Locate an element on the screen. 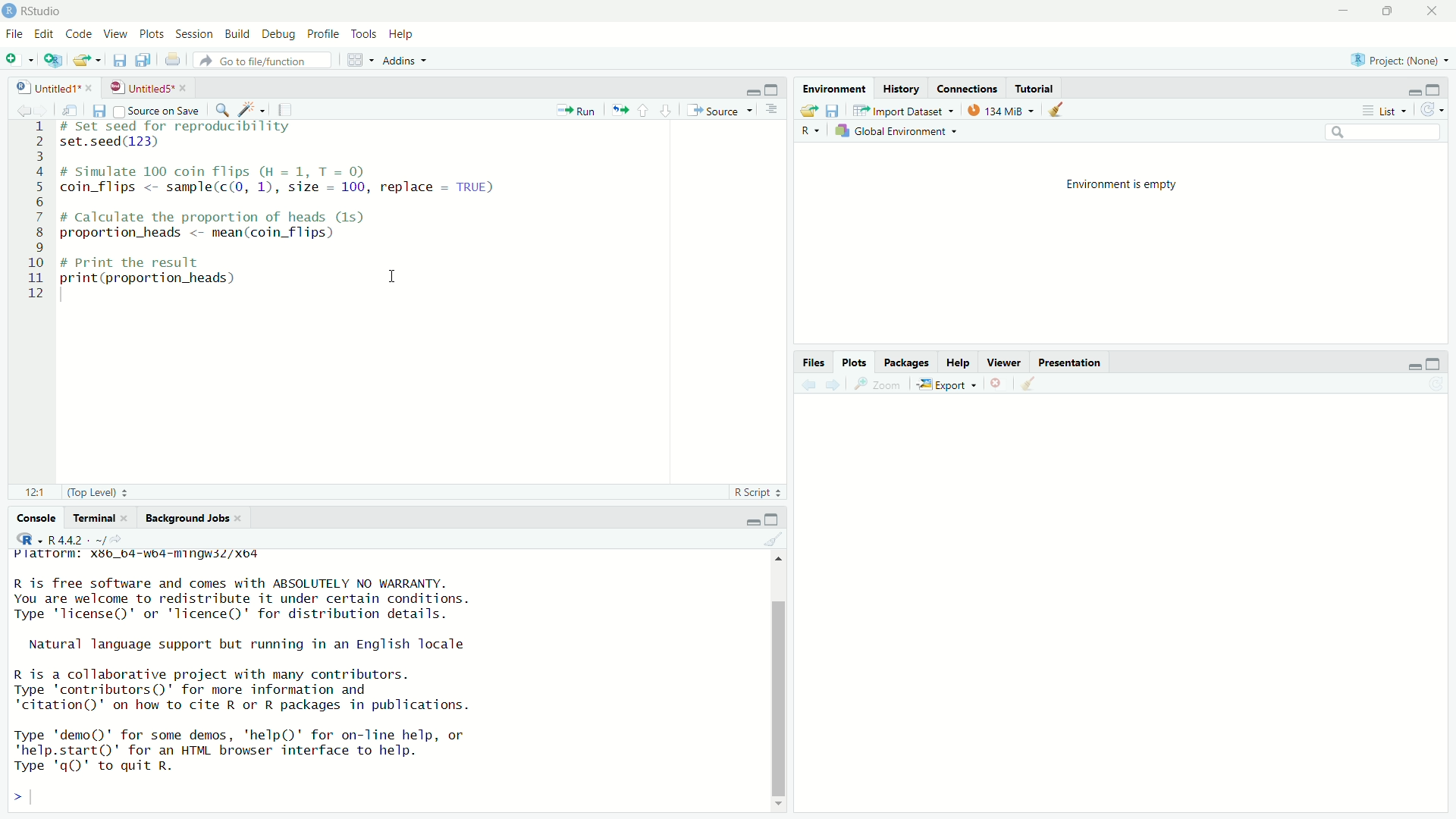 The image size is (1456, 819). prompt cursor is located at coordinates (11, 795).